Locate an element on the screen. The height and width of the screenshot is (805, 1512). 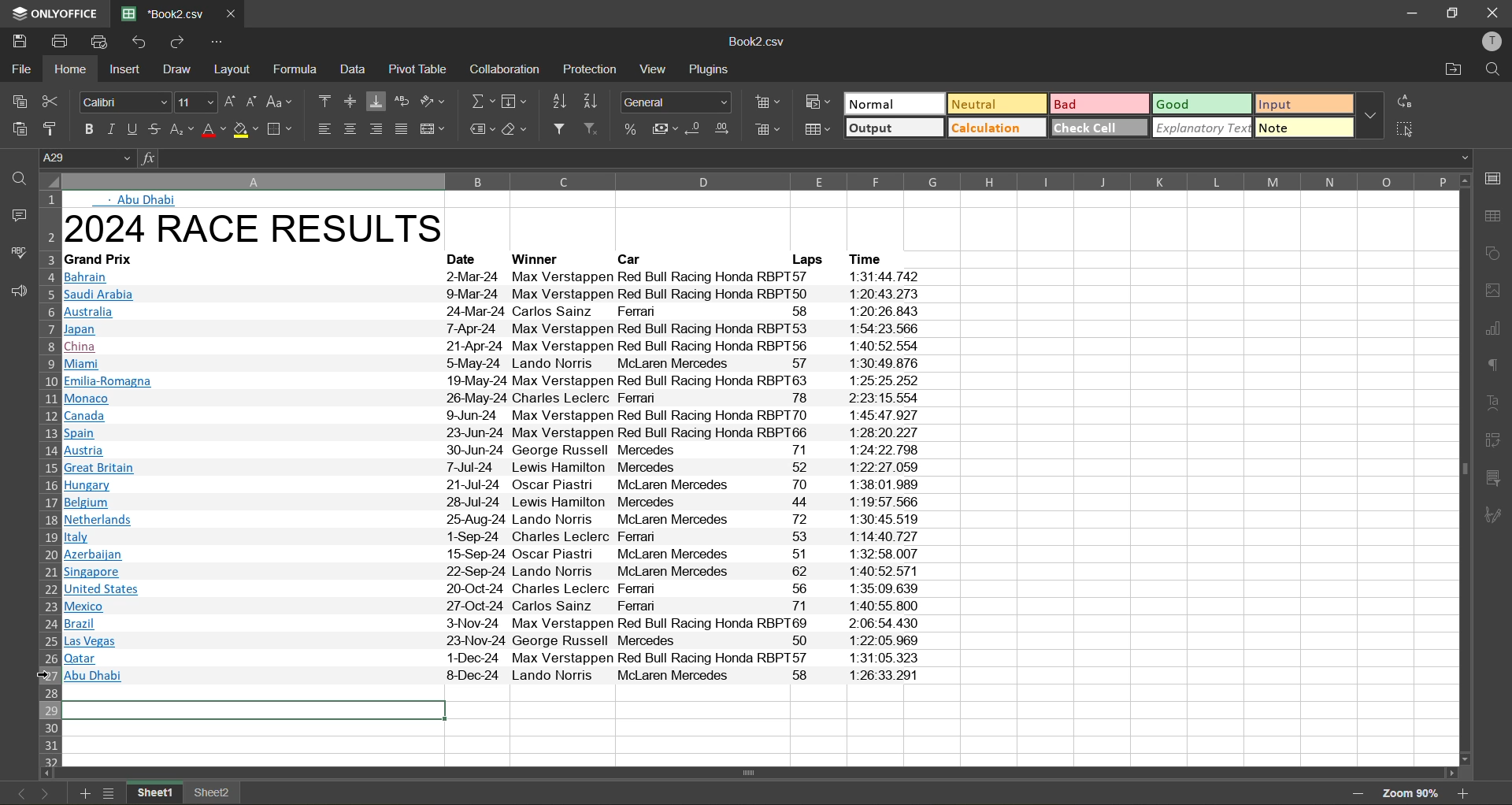
text info is located at coordinates (491, 607).